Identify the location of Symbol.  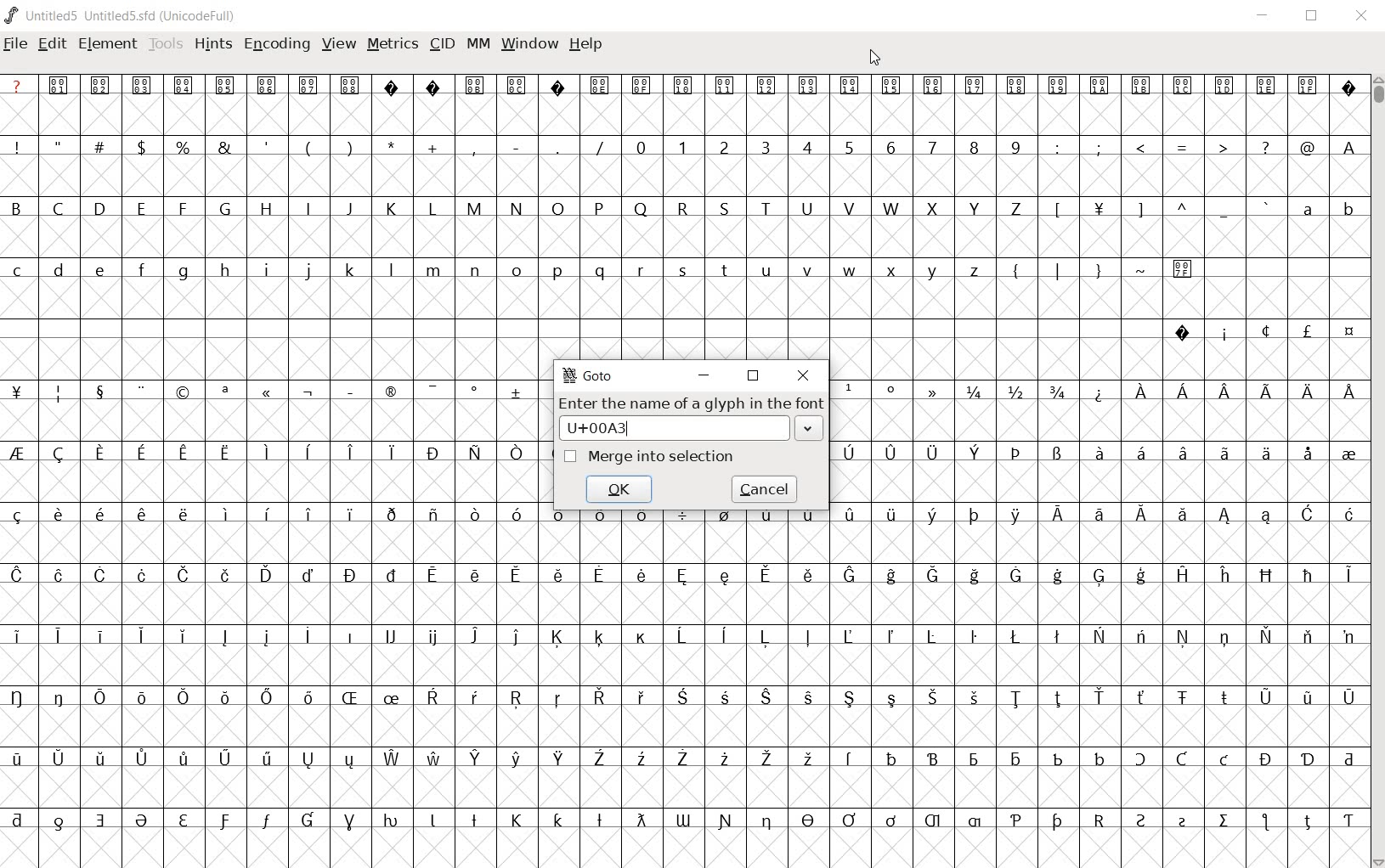
(934, 636).